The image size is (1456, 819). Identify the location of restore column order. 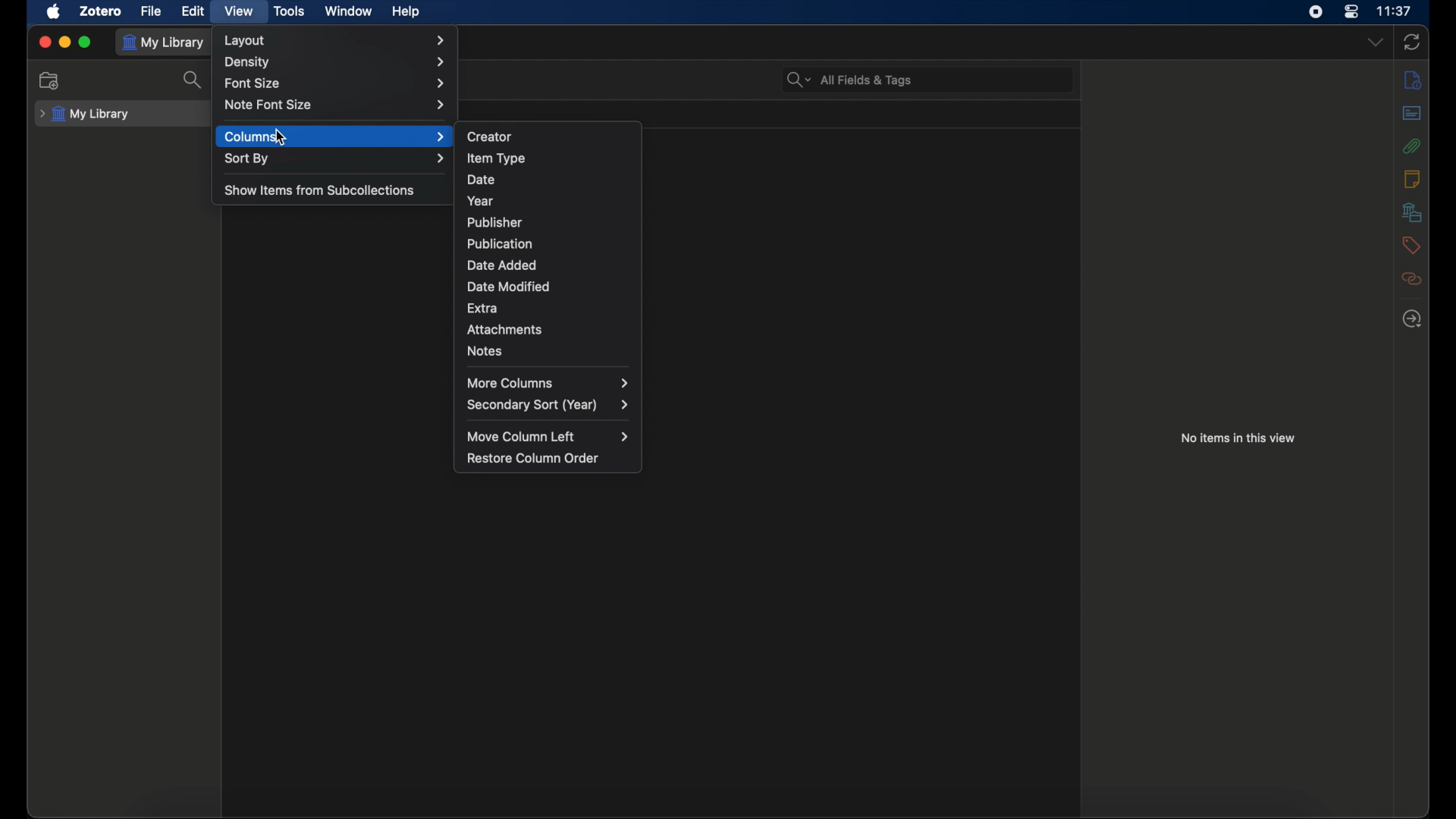
(533, 458).